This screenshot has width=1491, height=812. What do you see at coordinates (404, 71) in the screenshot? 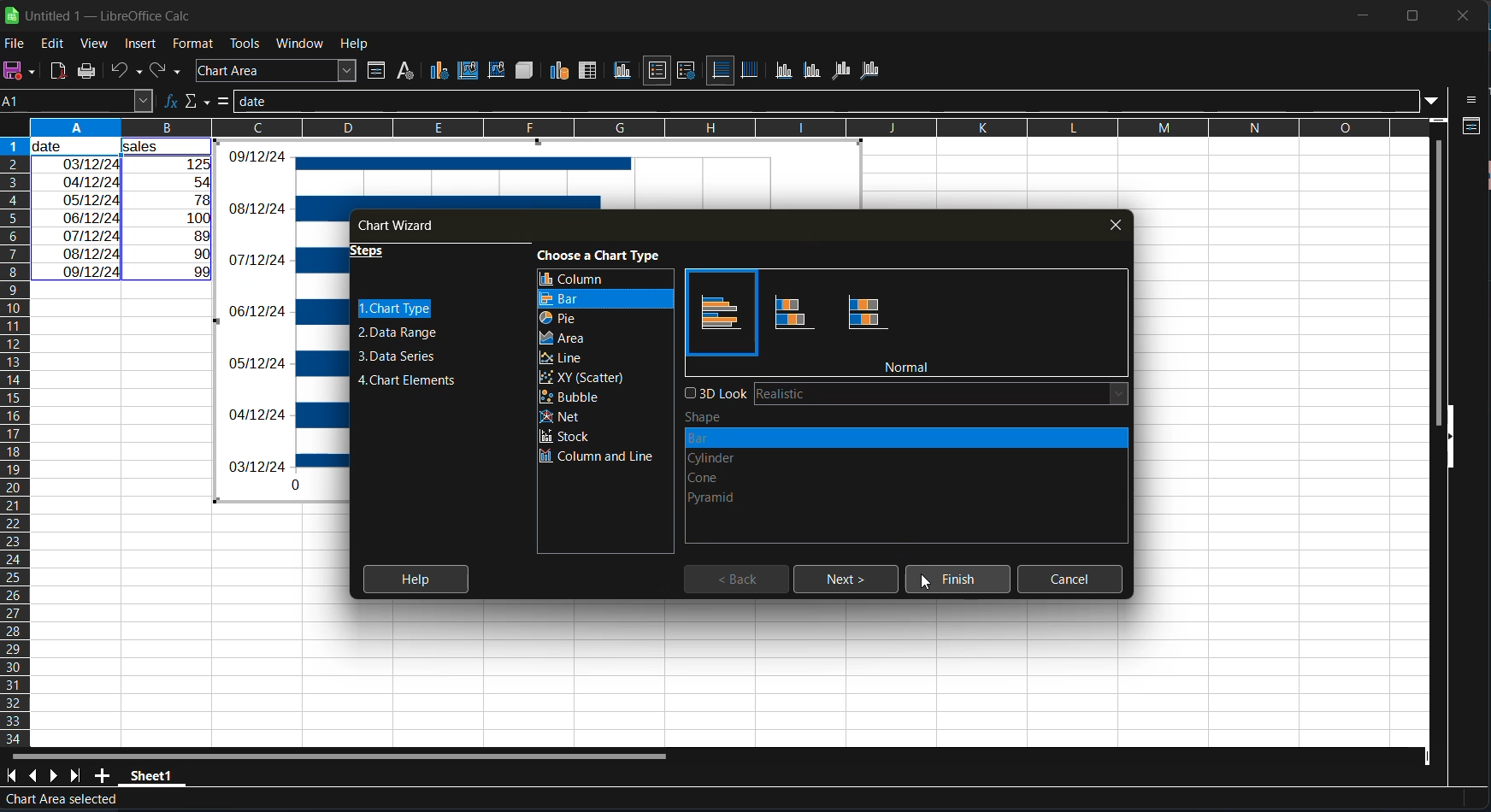
I see `character` at bounding box center [404, 71].